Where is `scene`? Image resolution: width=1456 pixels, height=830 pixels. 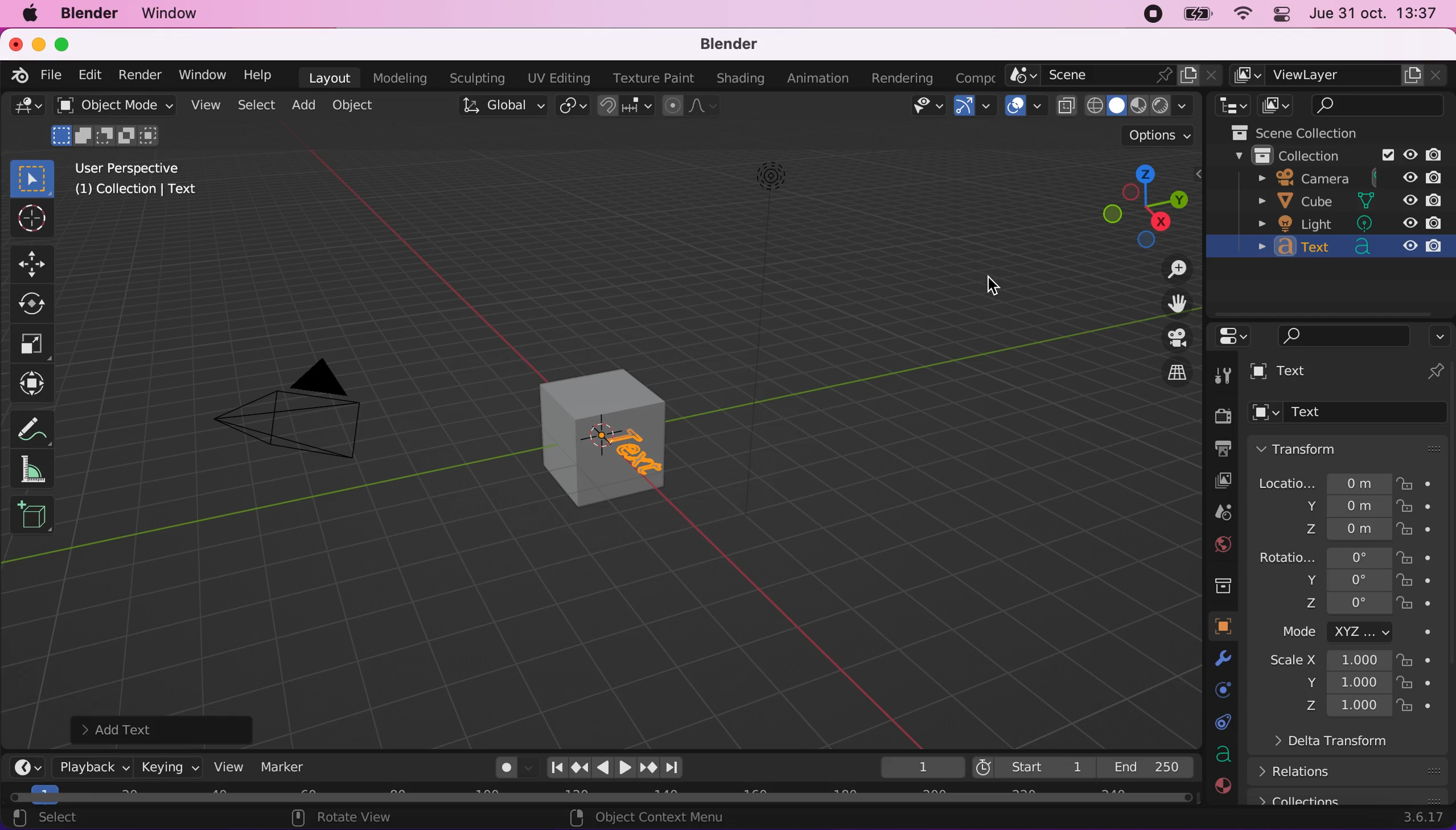
scene is located at coordinates (1116, 75).